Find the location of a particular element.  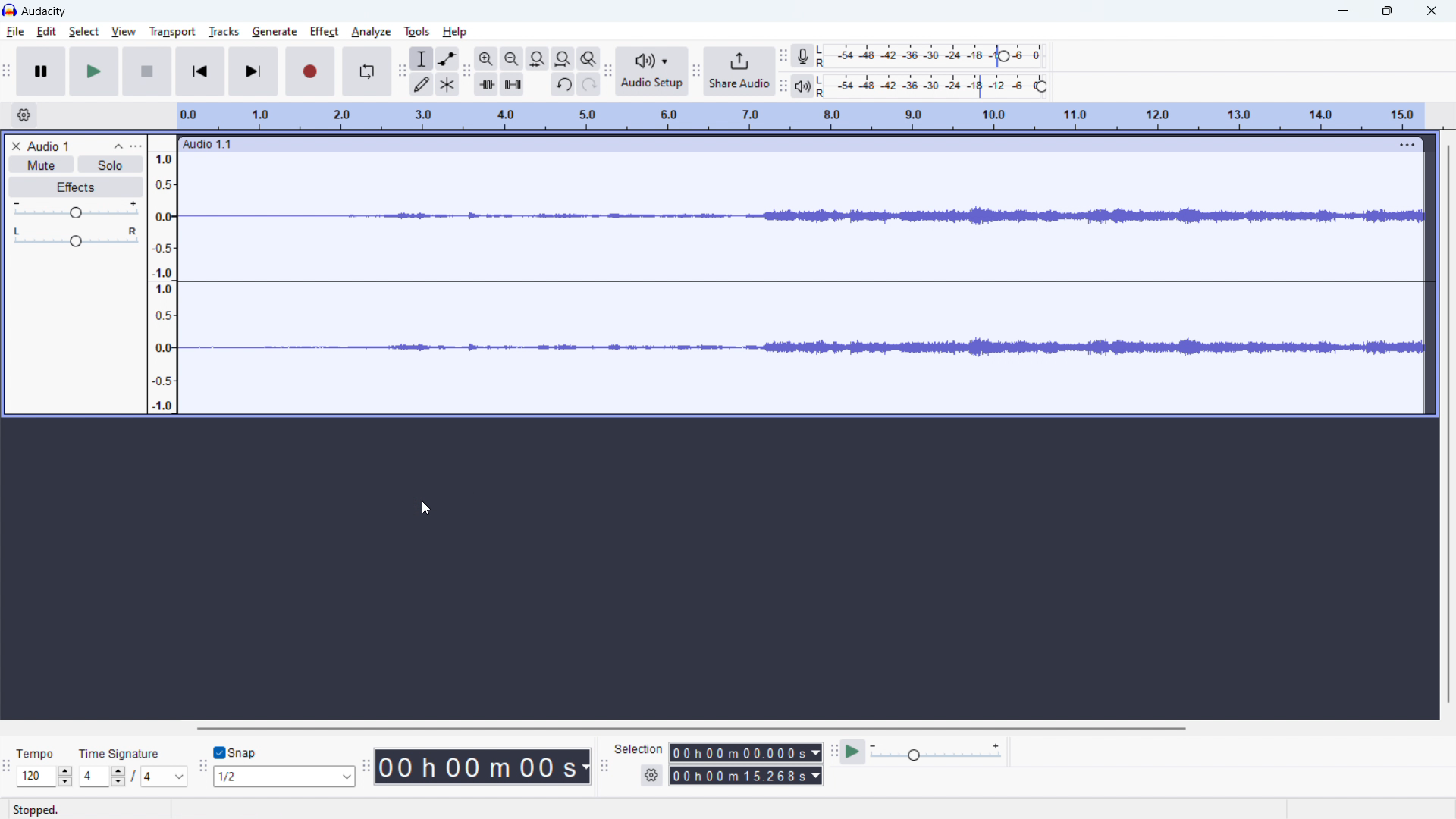

start time is located at coordinates (746, 752).